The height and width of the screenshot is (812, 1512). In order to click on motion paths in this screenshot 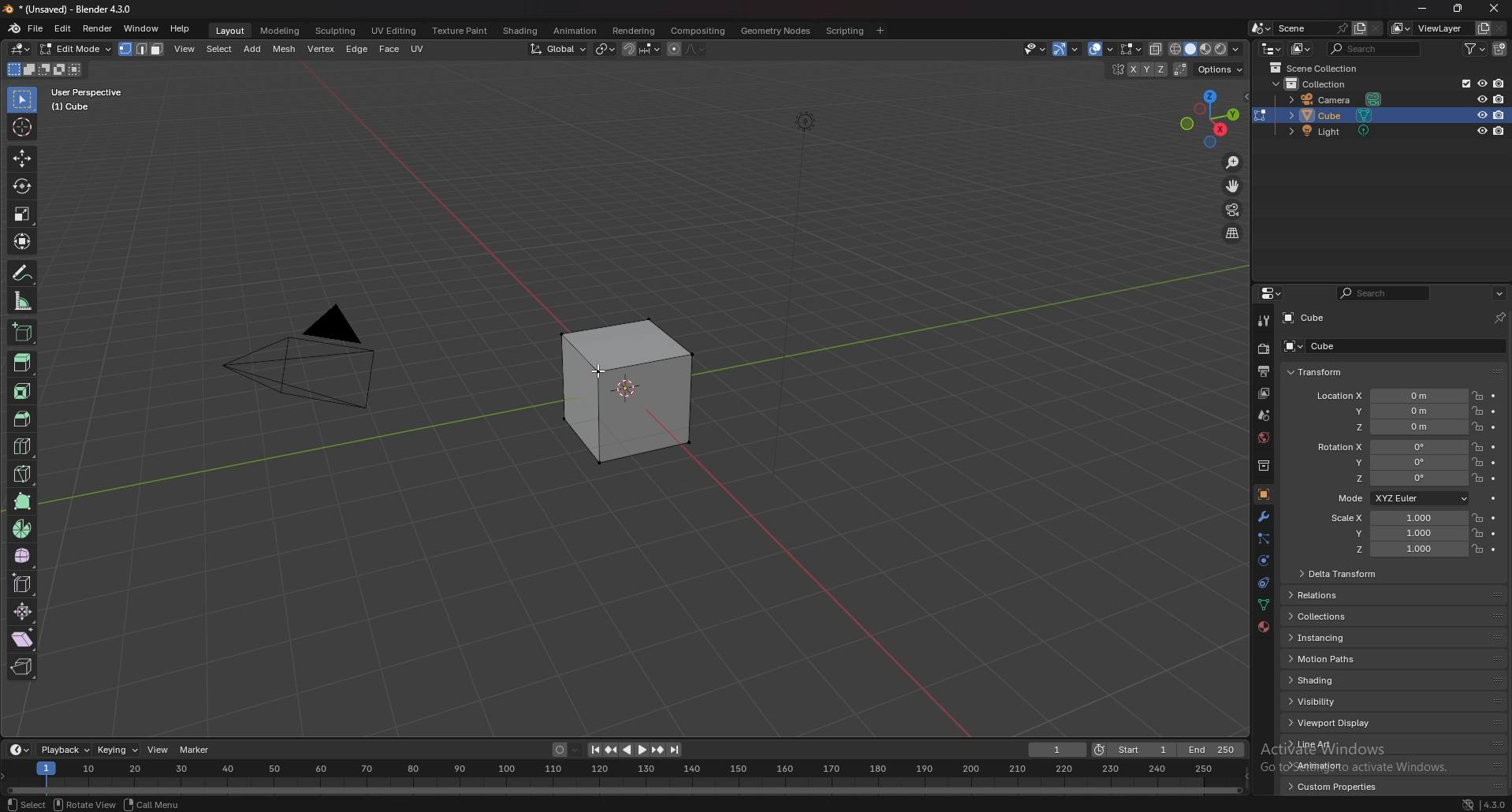, I will do `click(1349, 658)`.